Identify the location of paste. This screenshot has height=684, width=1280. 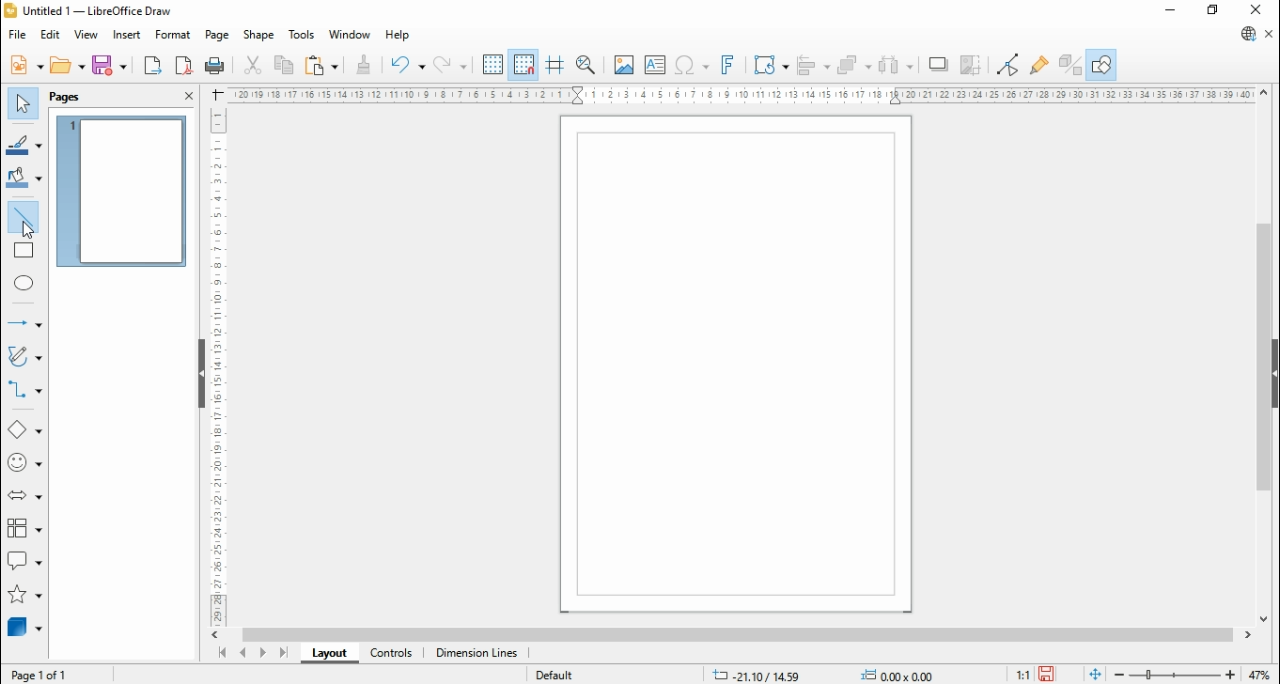
(322, 64).